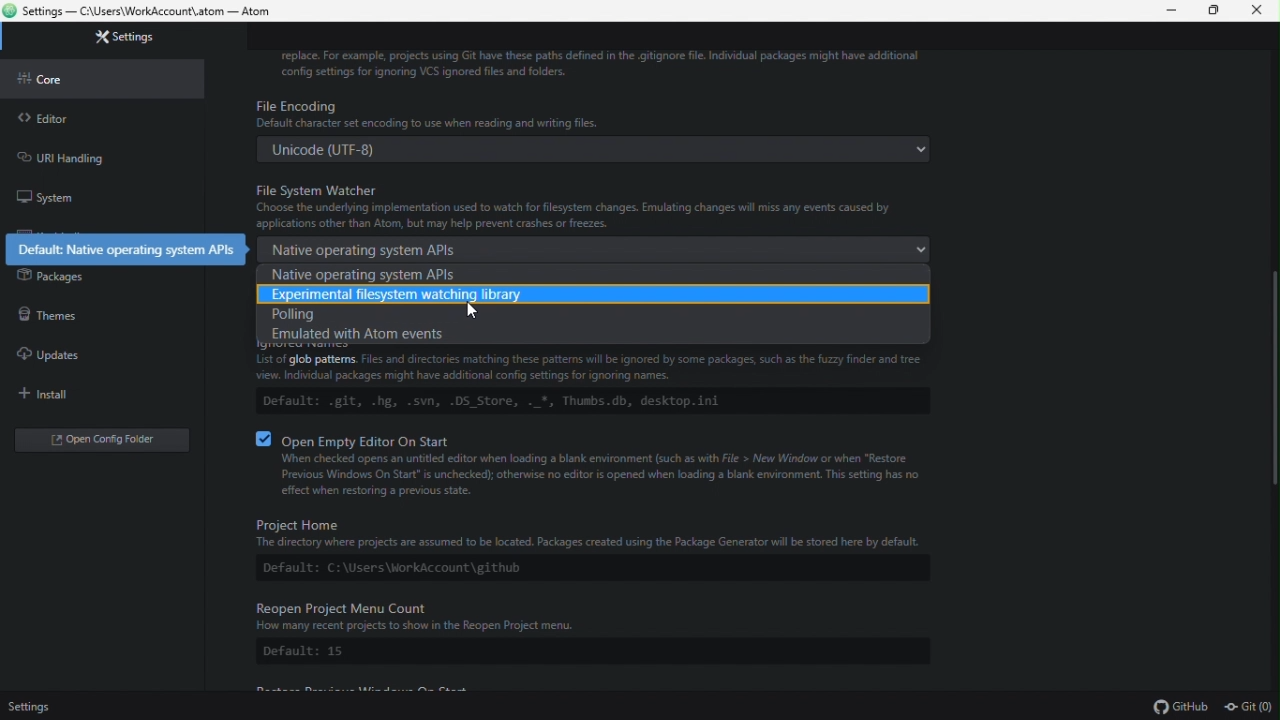  I want to click on File system watcher , so click(595, 203).